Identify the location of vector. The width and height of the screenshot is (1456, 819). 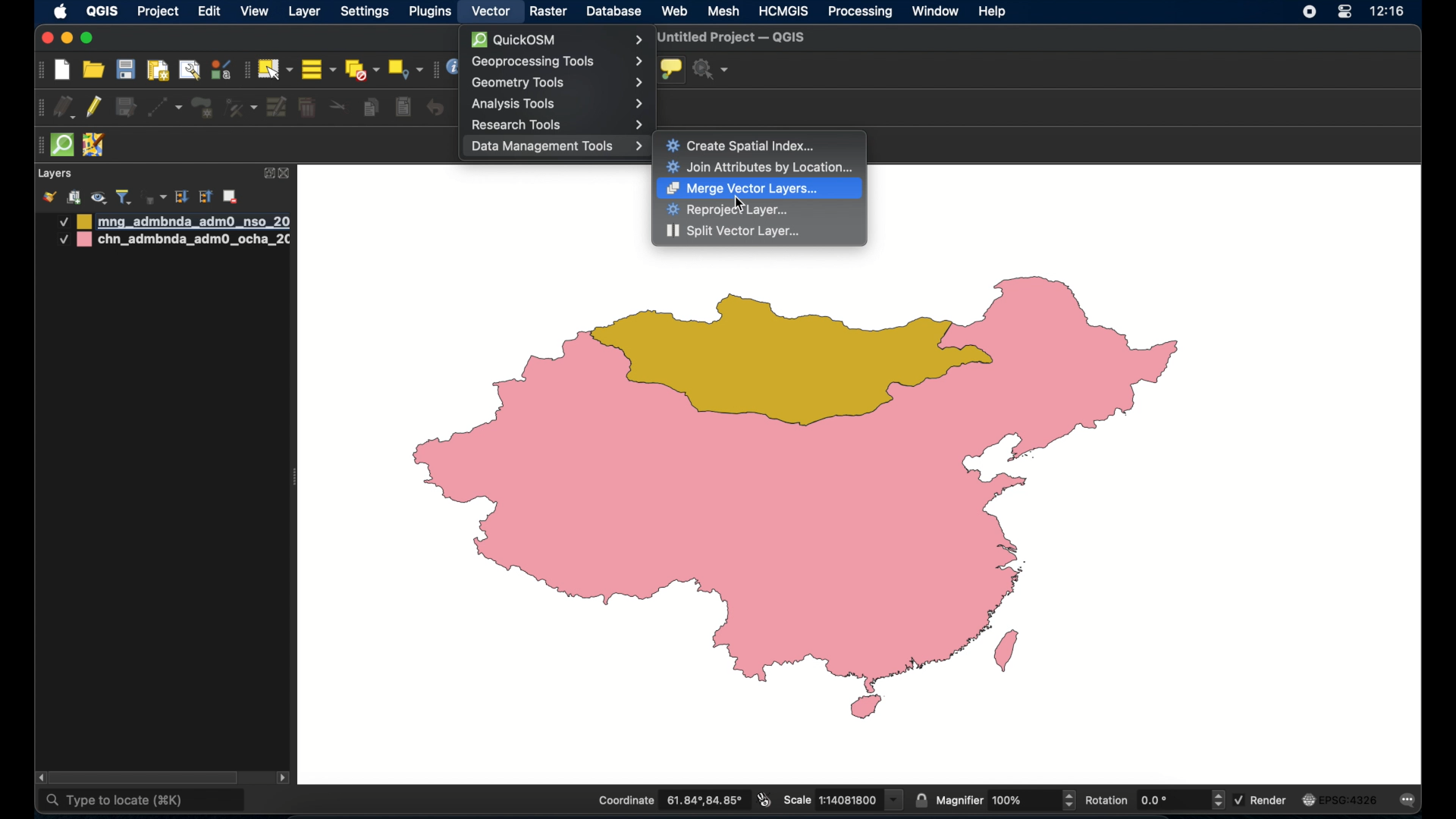
(491, 11).